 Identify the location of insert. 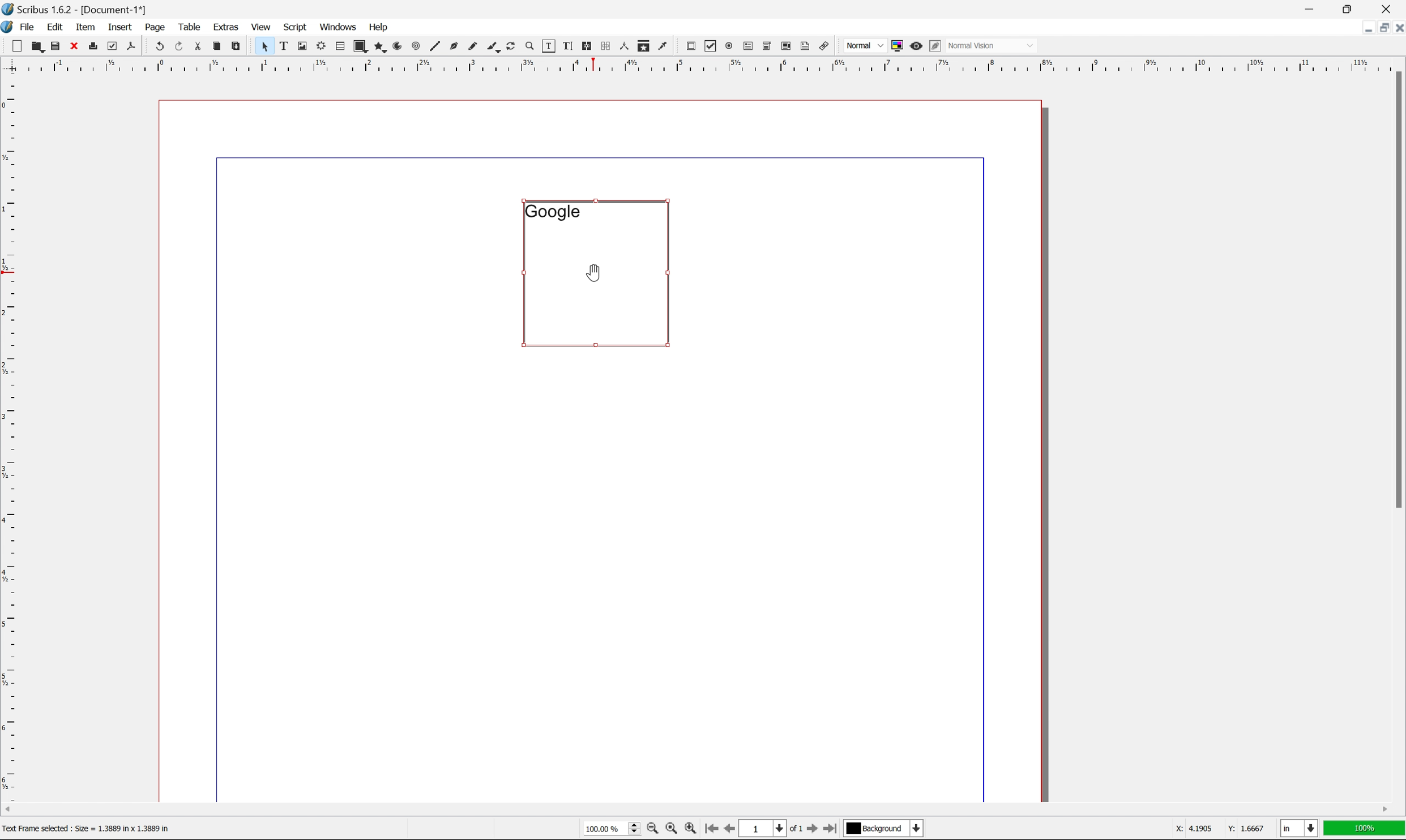
(120, 26).